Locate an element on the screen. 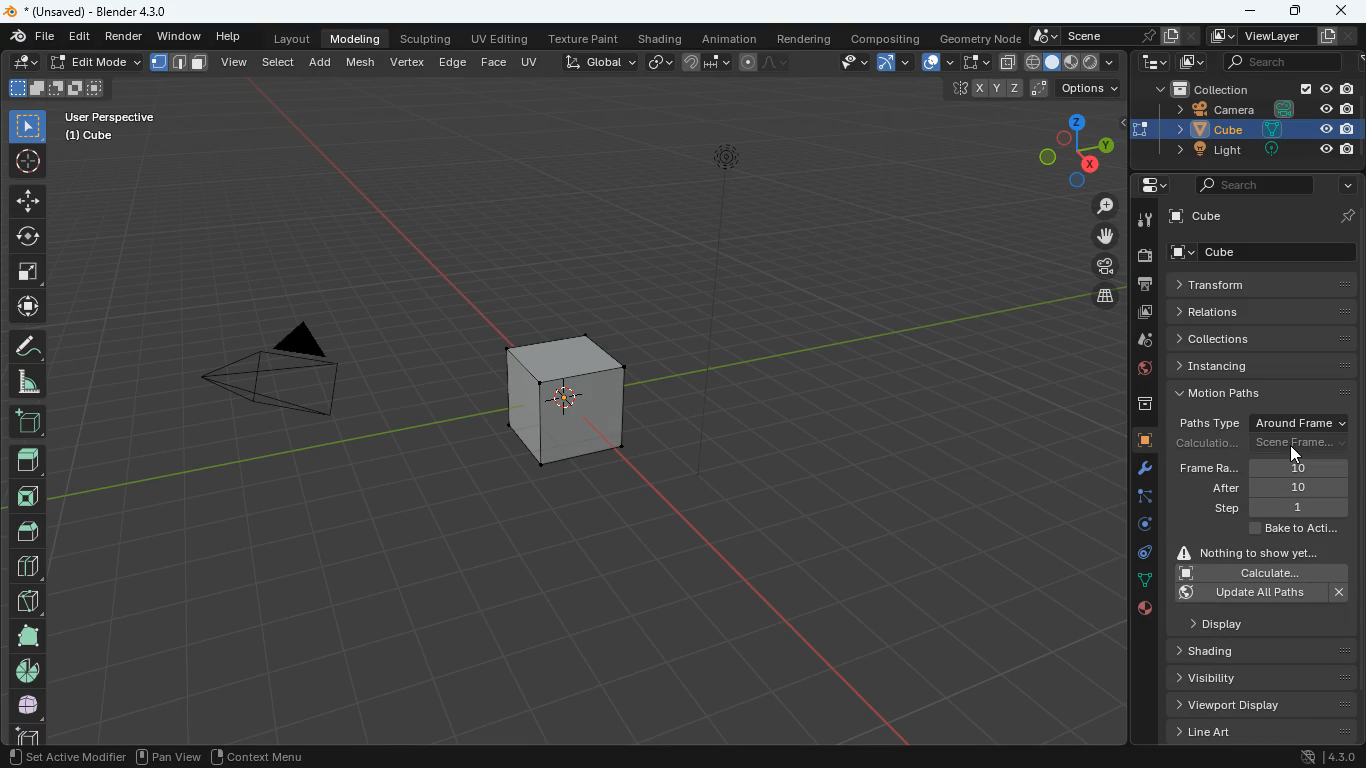  more is located at coordinates (1343, 186).